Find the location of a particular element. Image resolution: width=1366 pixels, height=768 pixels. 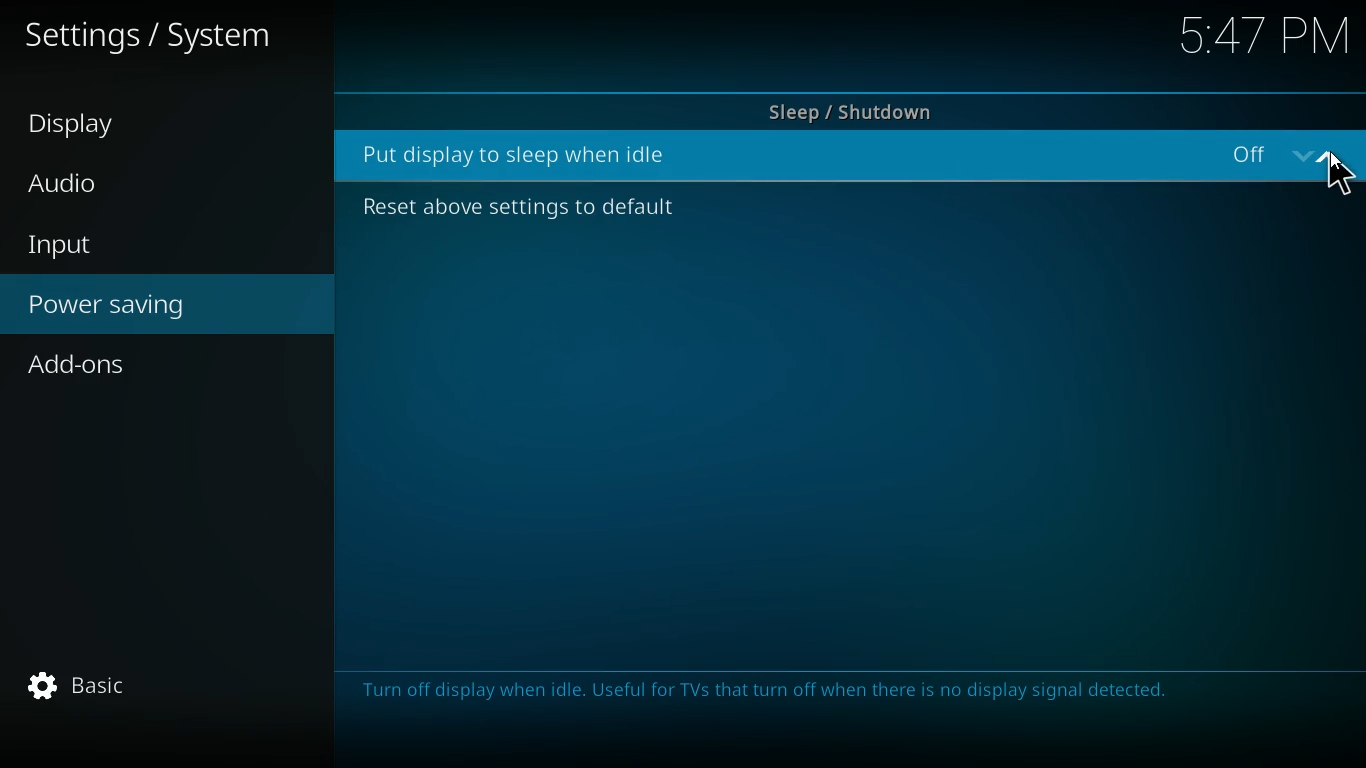

display is located at coordinates (111, 127).